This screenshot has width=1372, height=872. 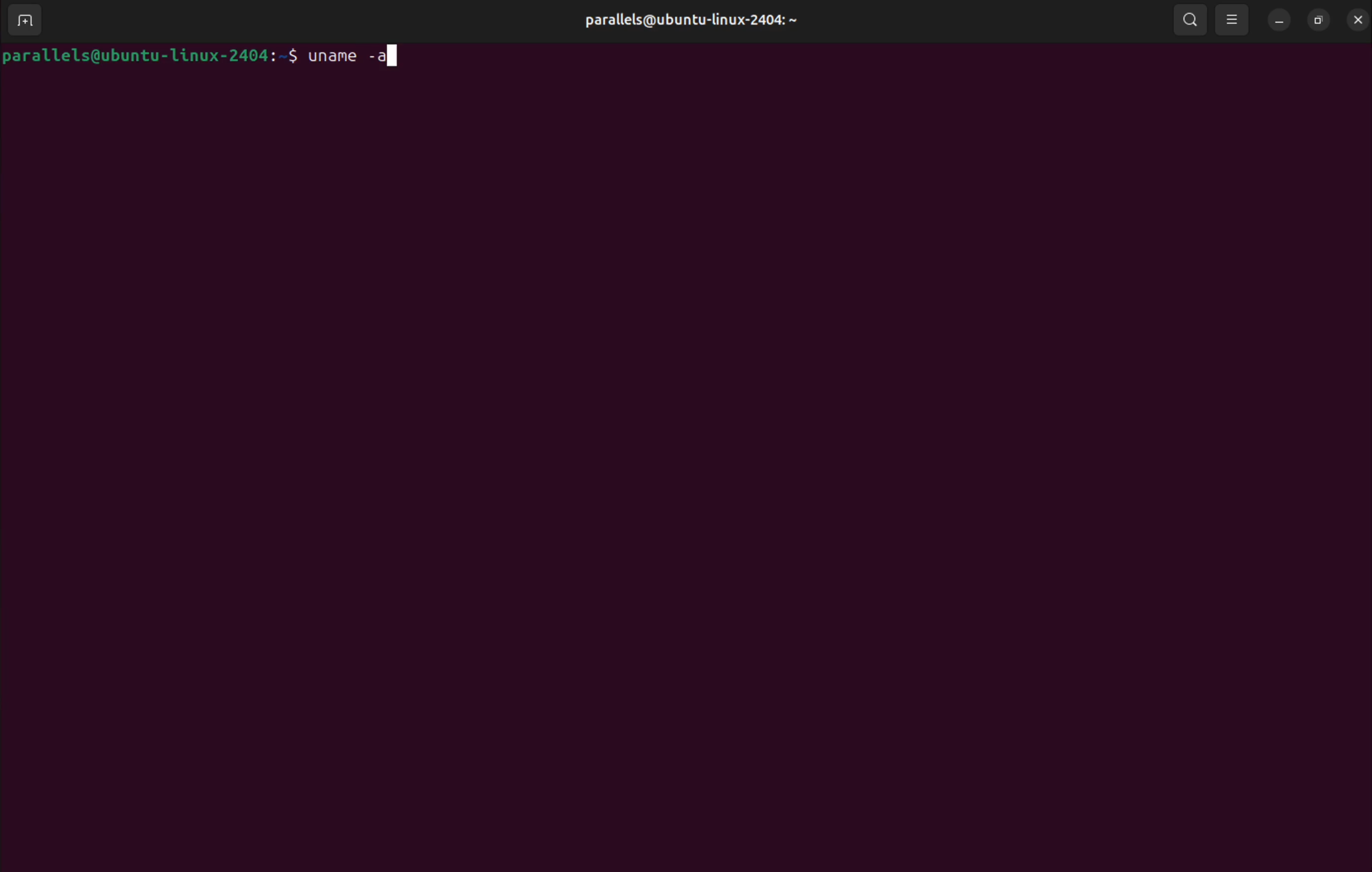 What do you see at coordinates (1354, 19) in the screenshot?
I see `close` at bounding box center [1354, 19].